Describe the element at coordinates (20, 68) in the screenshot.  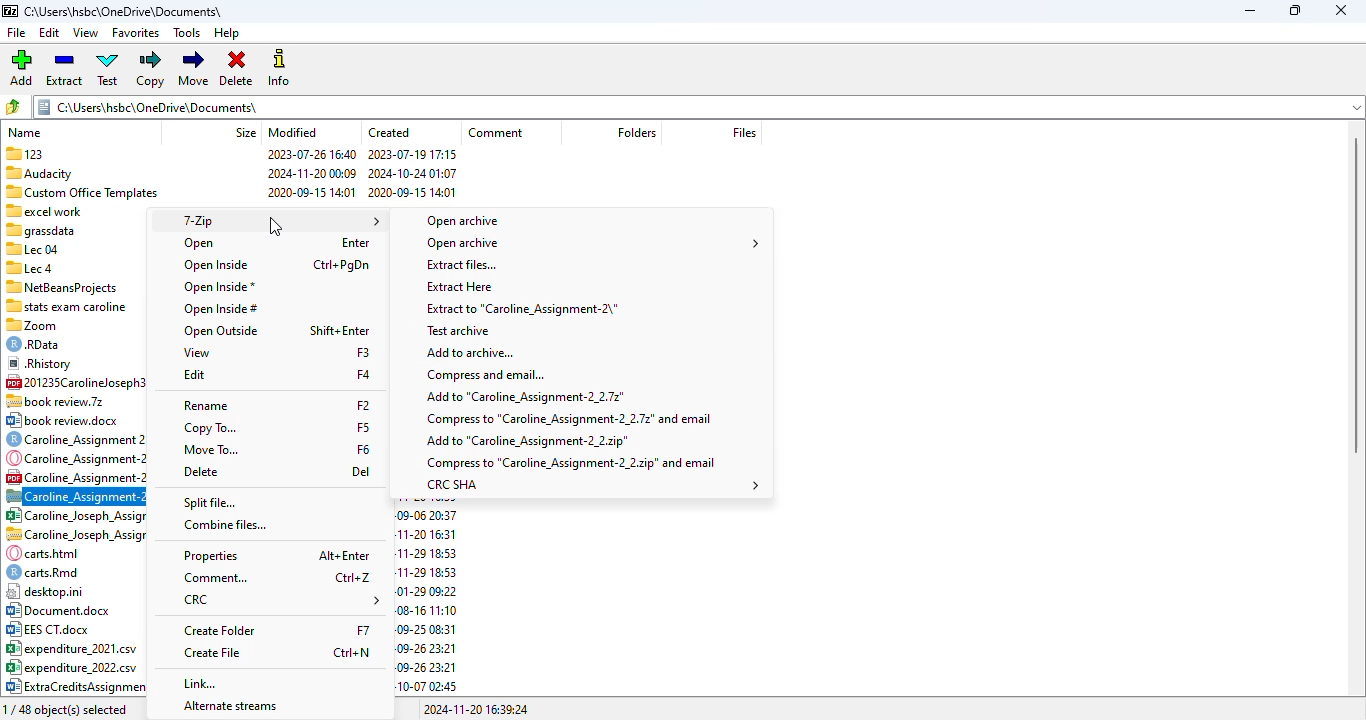
I see `add` at that location.